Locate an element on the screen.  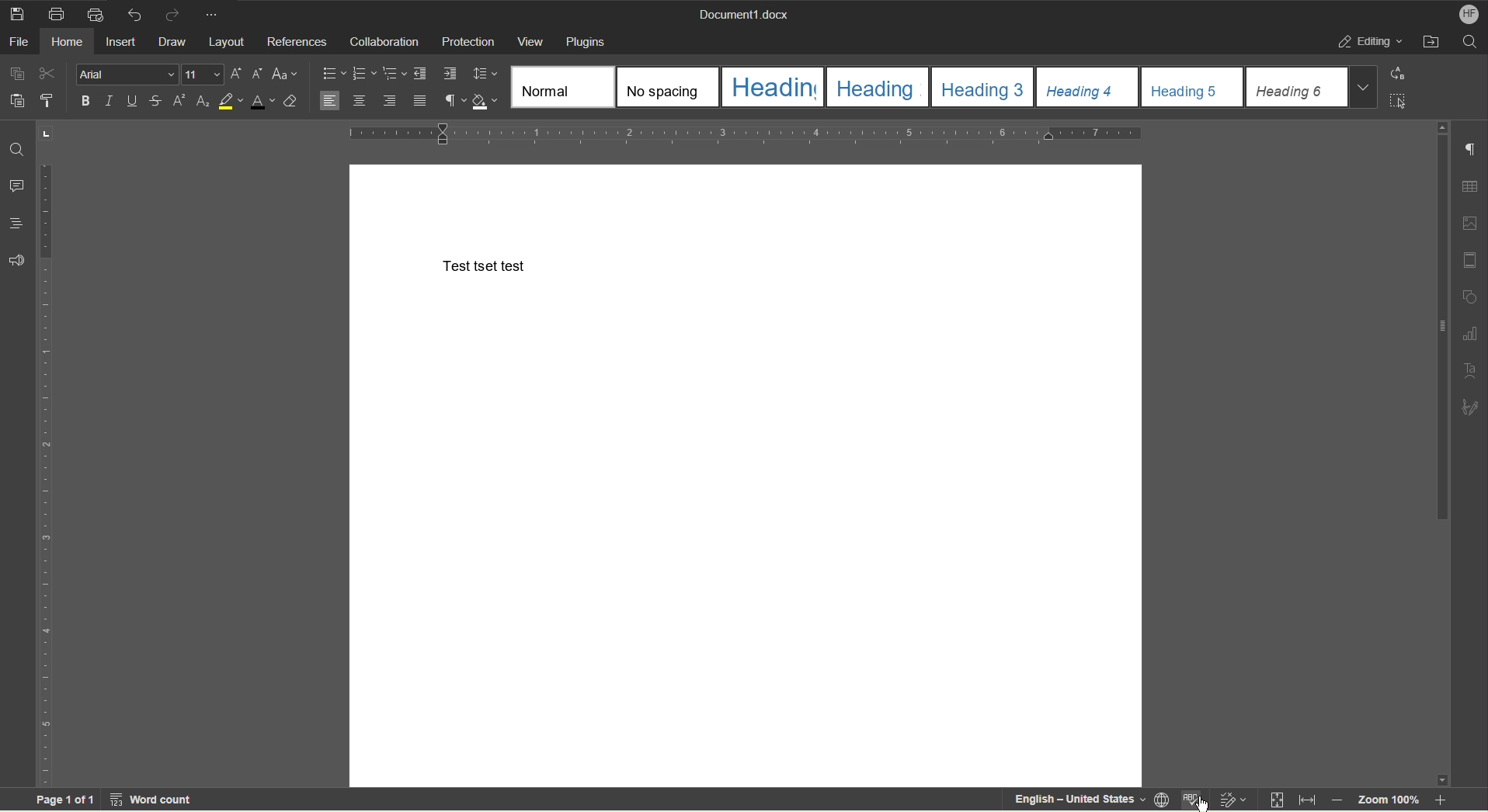
Nested List is located at coordinates (395, 74).